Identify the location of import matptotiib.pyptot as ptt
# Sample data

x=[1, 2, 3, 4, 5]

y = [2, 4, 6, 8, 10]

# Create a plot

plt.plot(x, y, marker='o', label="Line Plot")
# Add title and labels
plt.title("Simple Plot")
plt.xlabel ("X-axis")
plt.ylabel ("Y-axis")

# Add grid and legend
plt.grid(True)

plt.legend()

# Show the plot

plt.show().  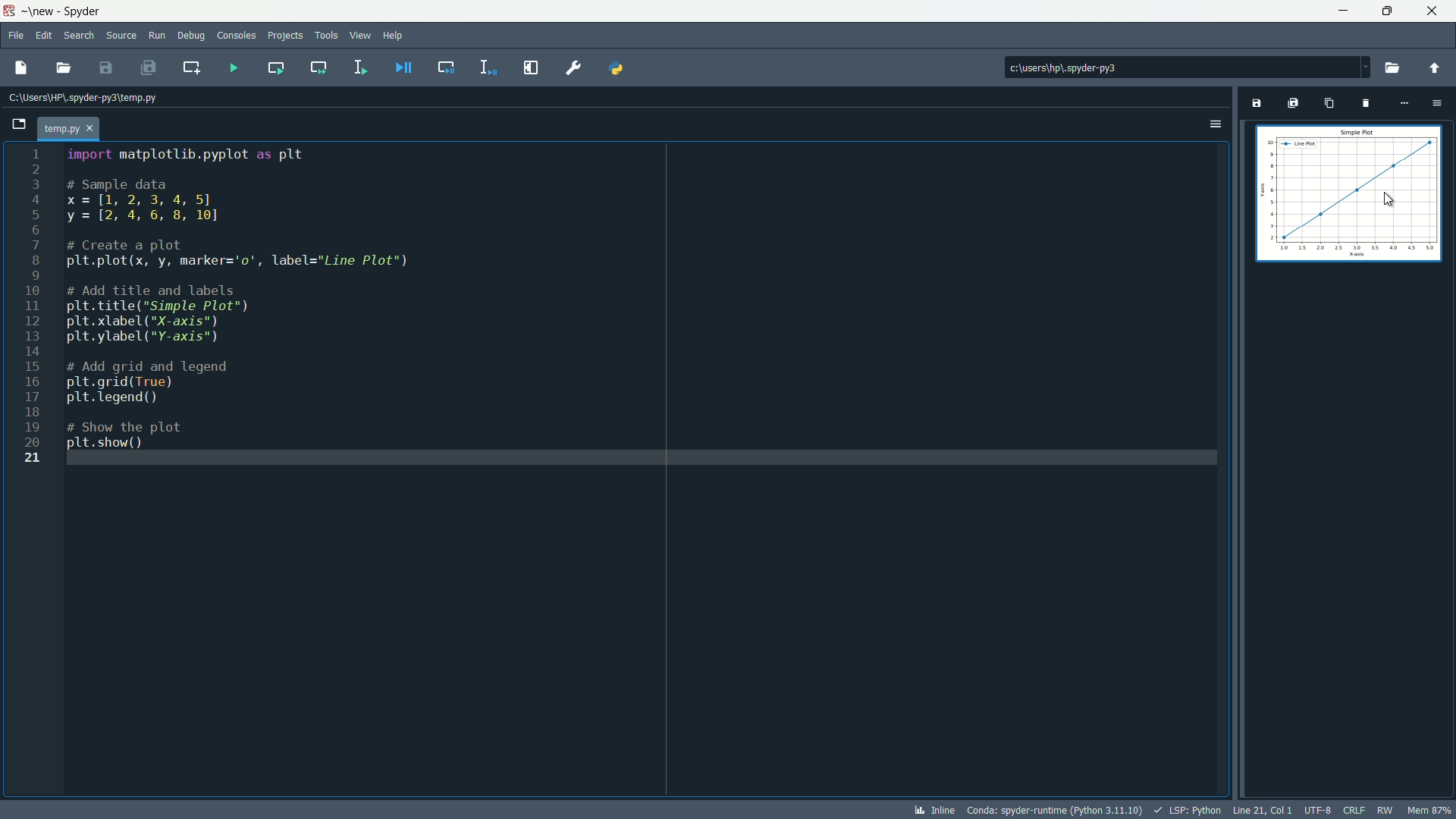
(244, 299).